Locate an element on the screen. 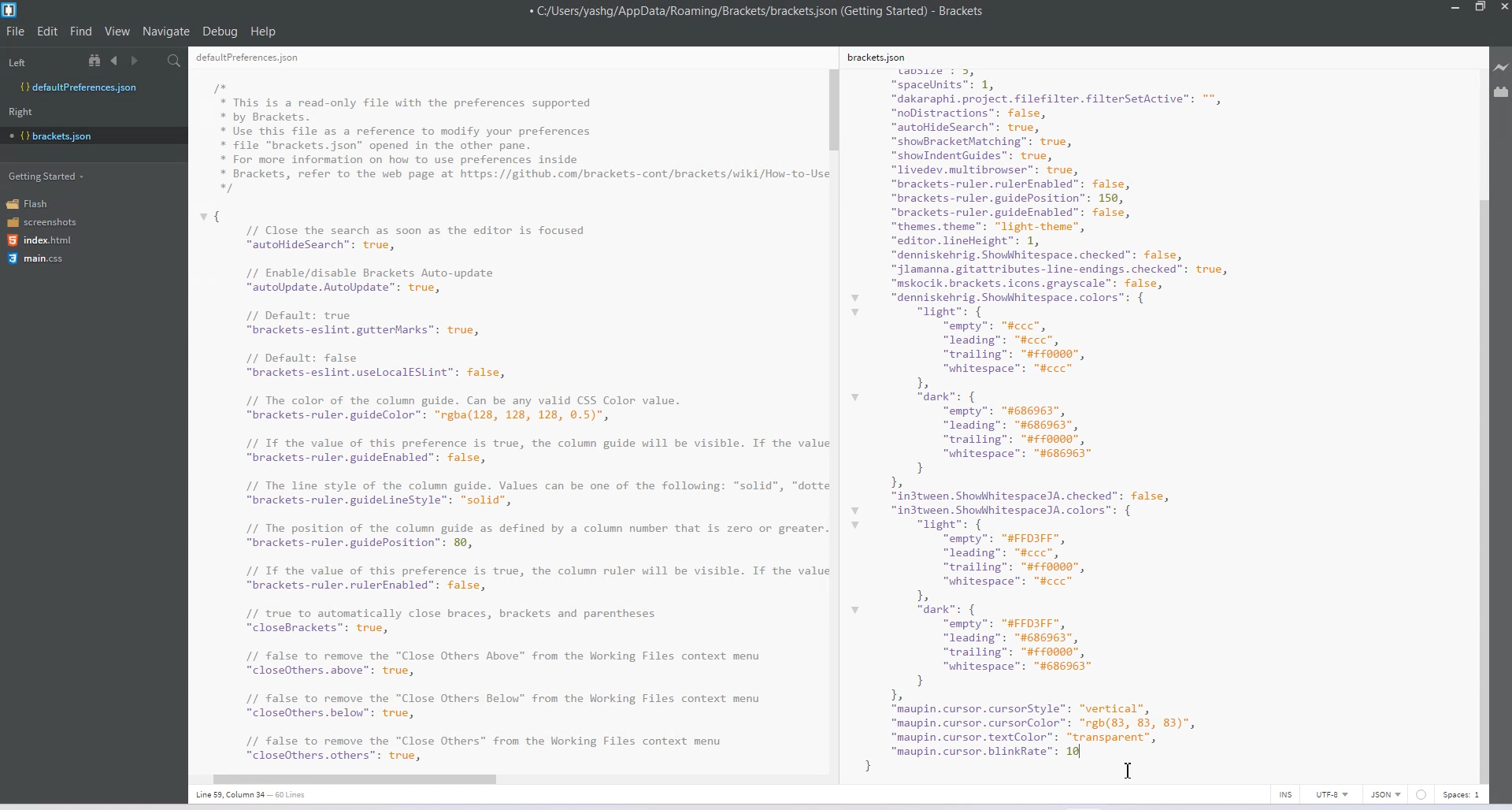 This screenshot has width=1512, height=810. Defaultpreferences.json is located at coordinates (93, 87).